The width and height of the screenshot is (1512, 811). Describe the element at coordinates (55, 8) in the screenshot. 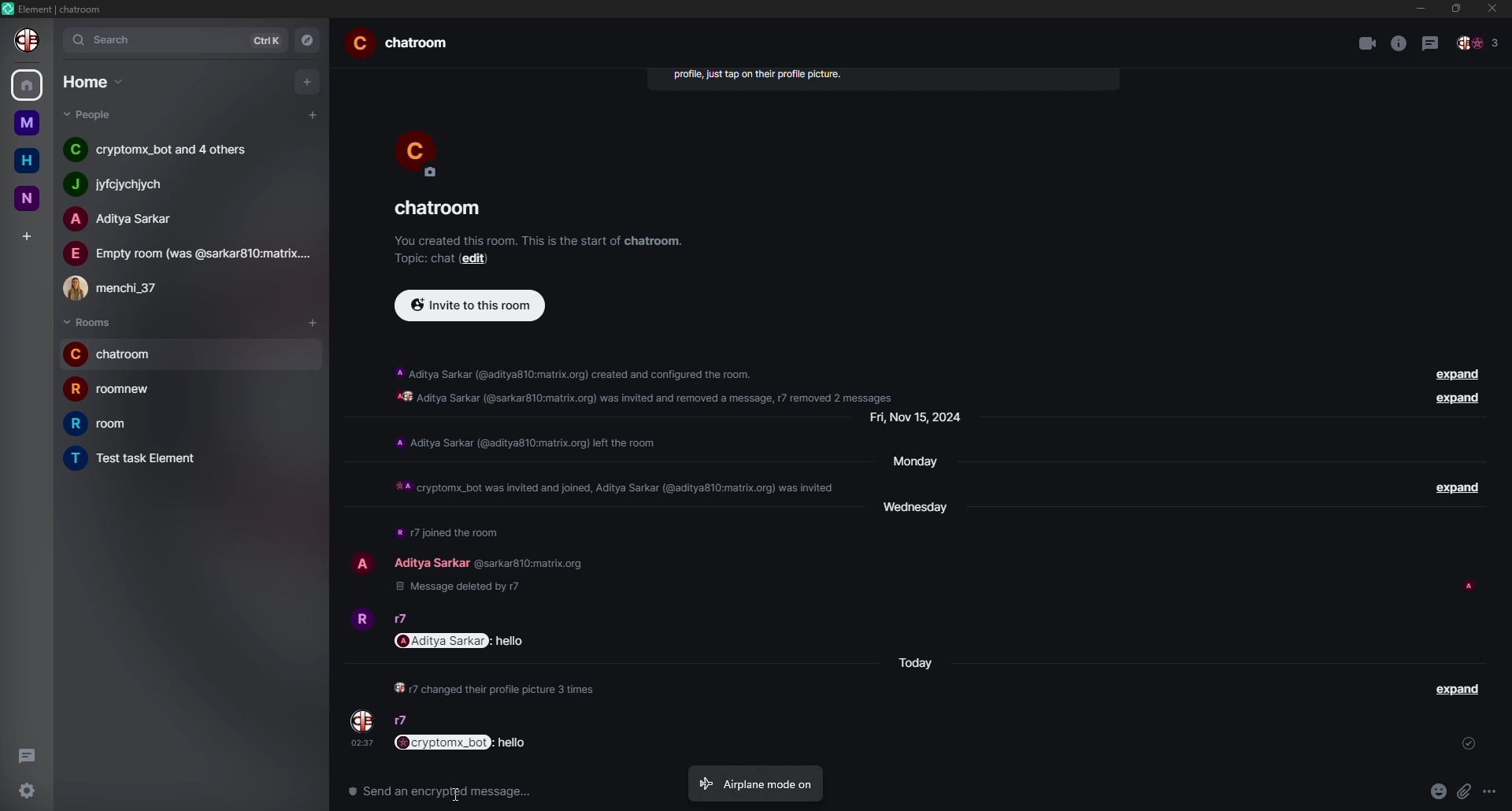

I see `element` at that location.